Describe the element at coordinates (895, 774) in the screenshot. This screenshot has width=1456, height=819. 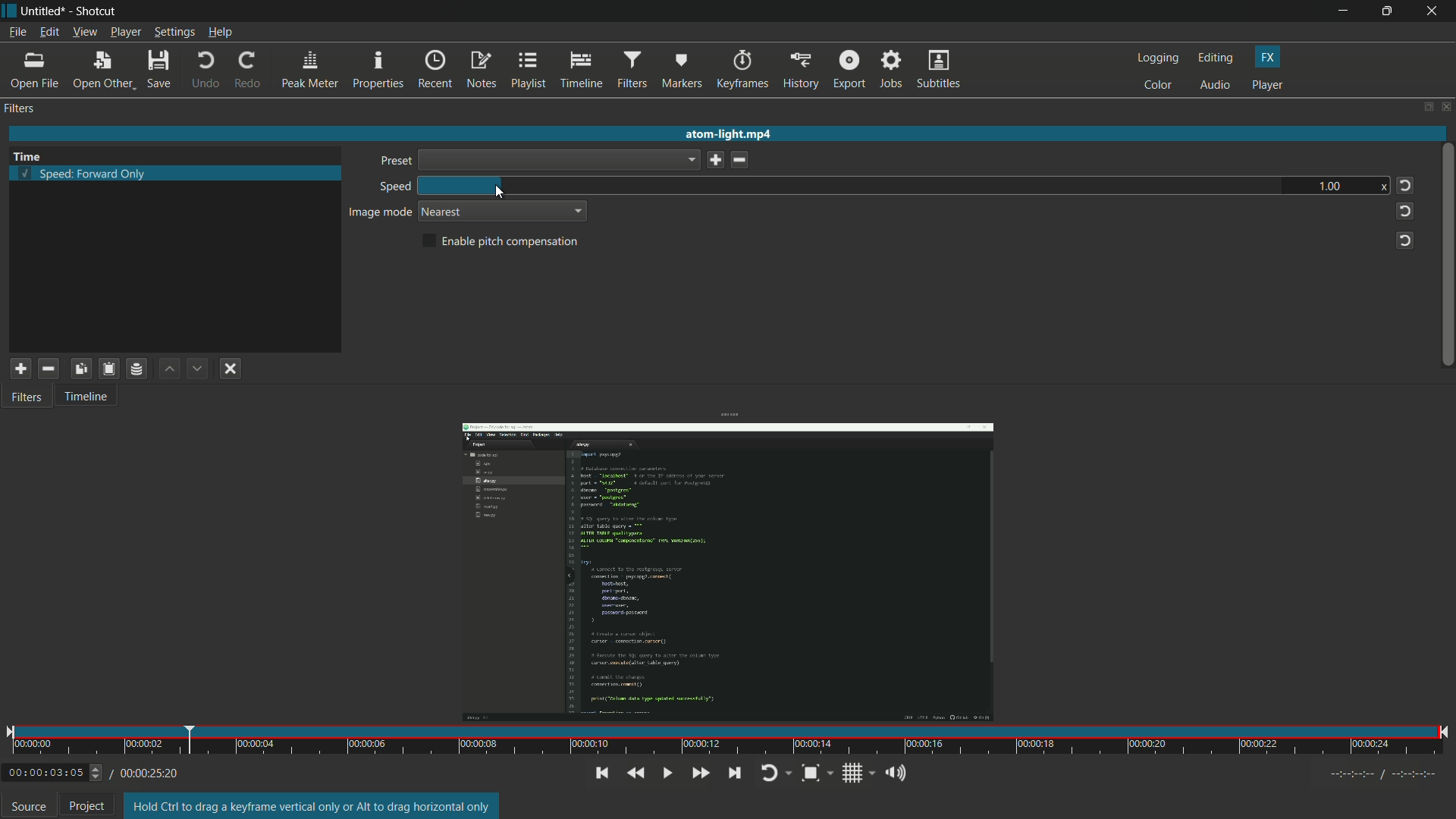
I see `show volume  control` at that location.